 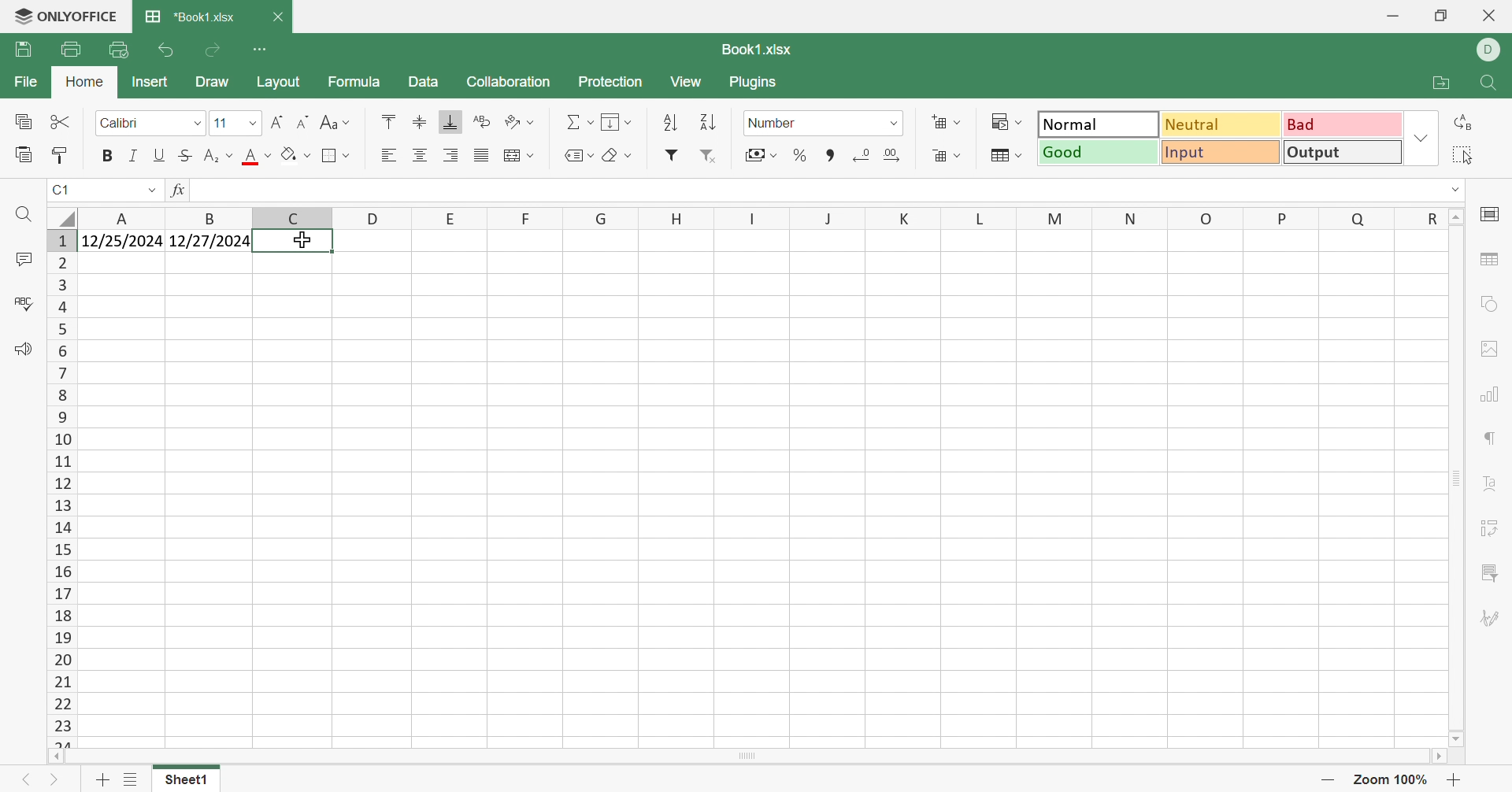 What do you see at coordinates (1458, 154) in the screenshot?
I see `Select all` at bounding box center [1458, 154].